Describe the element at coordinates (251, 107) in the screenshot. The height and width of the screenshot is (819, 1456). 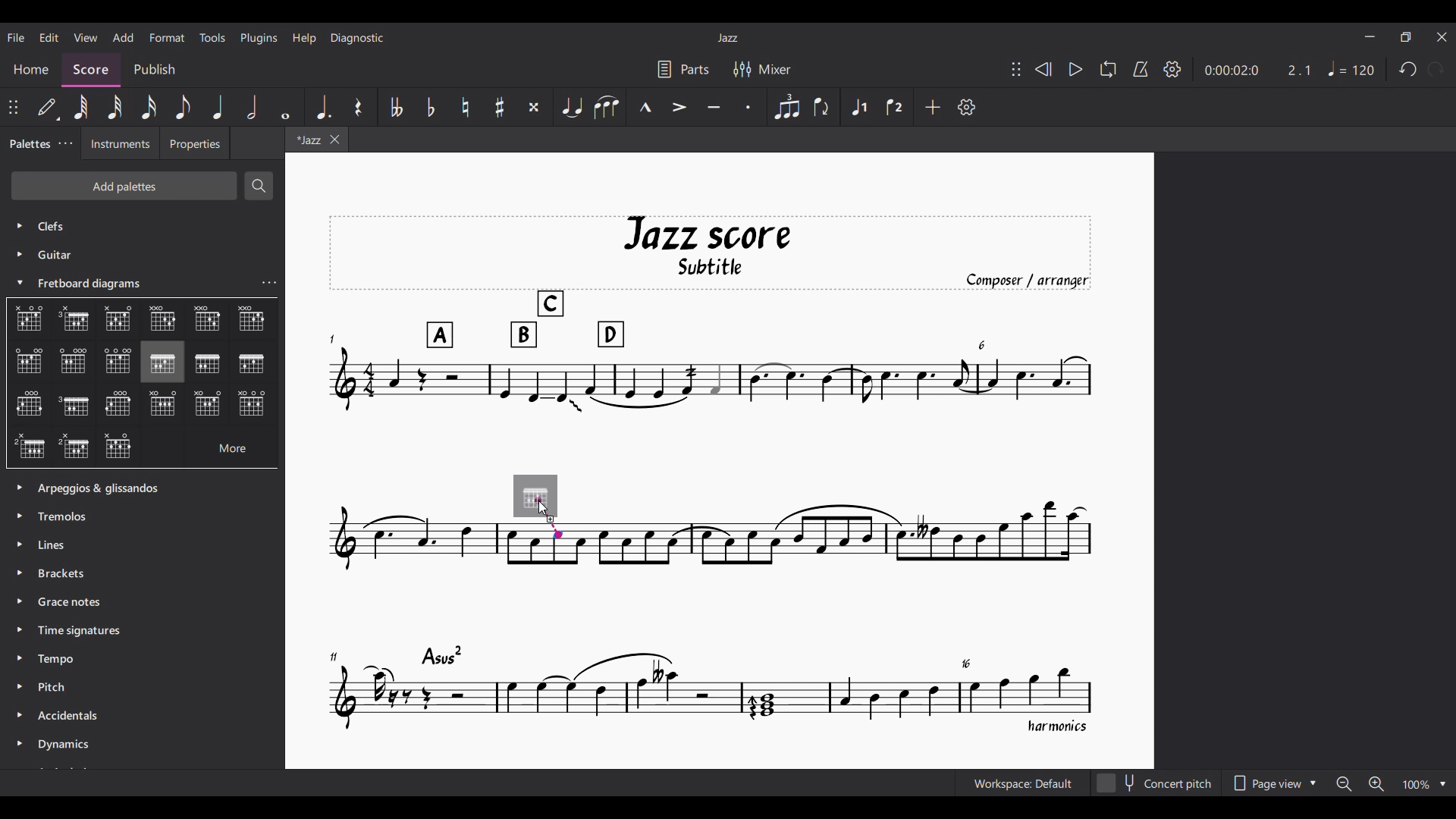
I see `Half note` at that location.